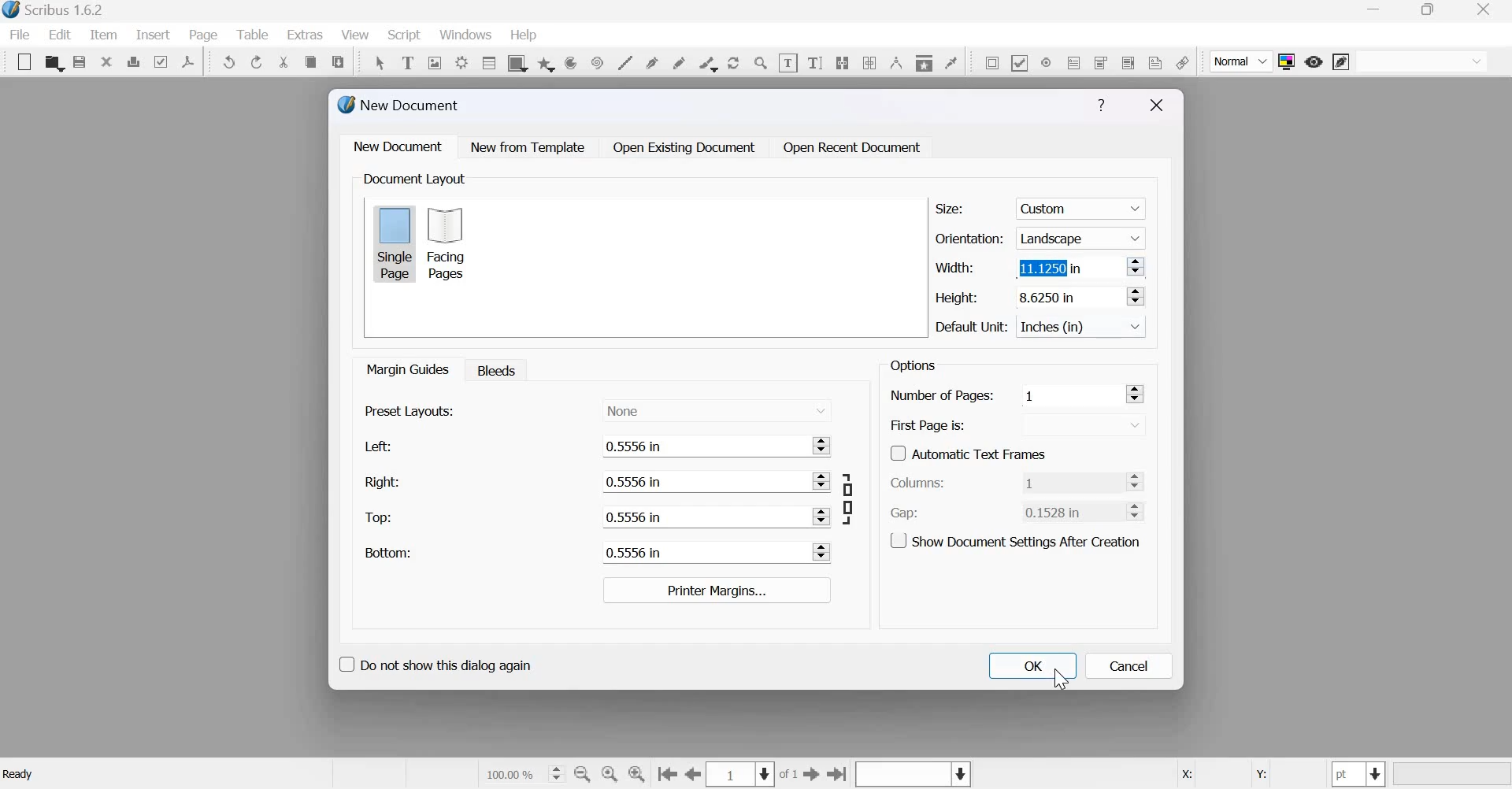 This screenshot has width=1512, height=789. Describe the element at coordinates (254, 35) in the screenshot. I see `Table` at that location.